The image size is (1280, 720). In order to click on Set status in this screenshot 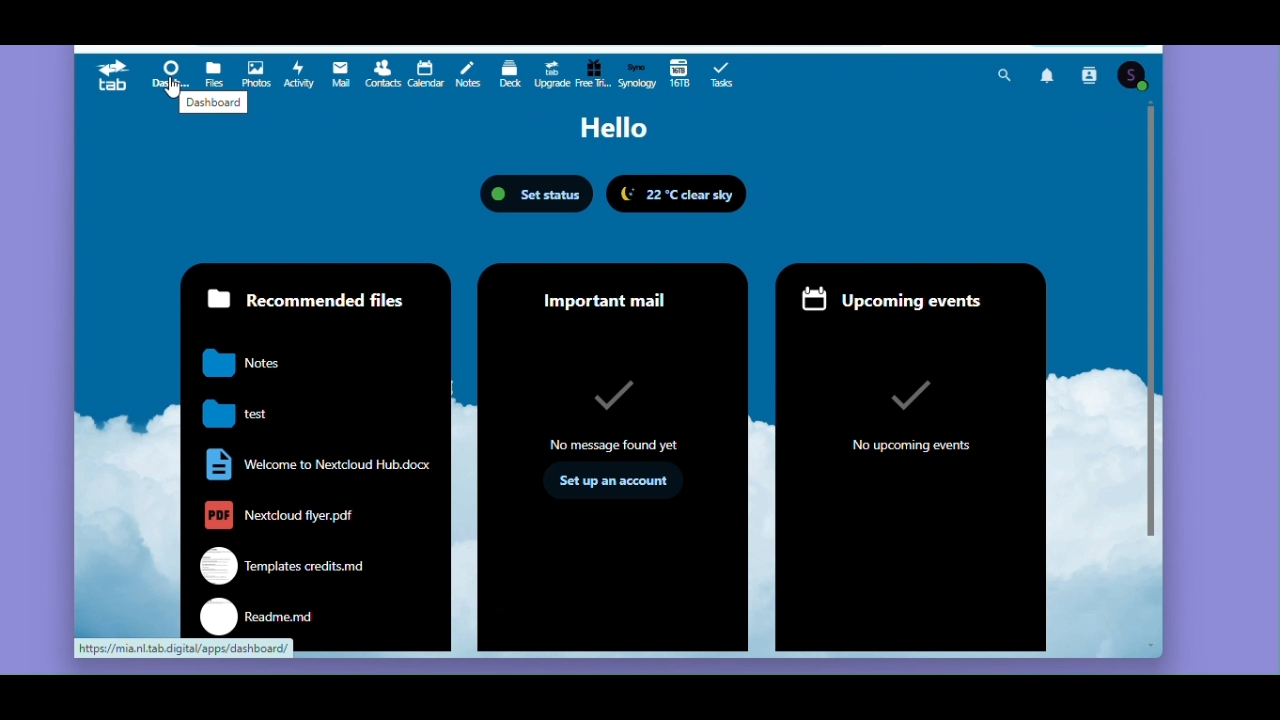, I will do `click(537, 194)`.